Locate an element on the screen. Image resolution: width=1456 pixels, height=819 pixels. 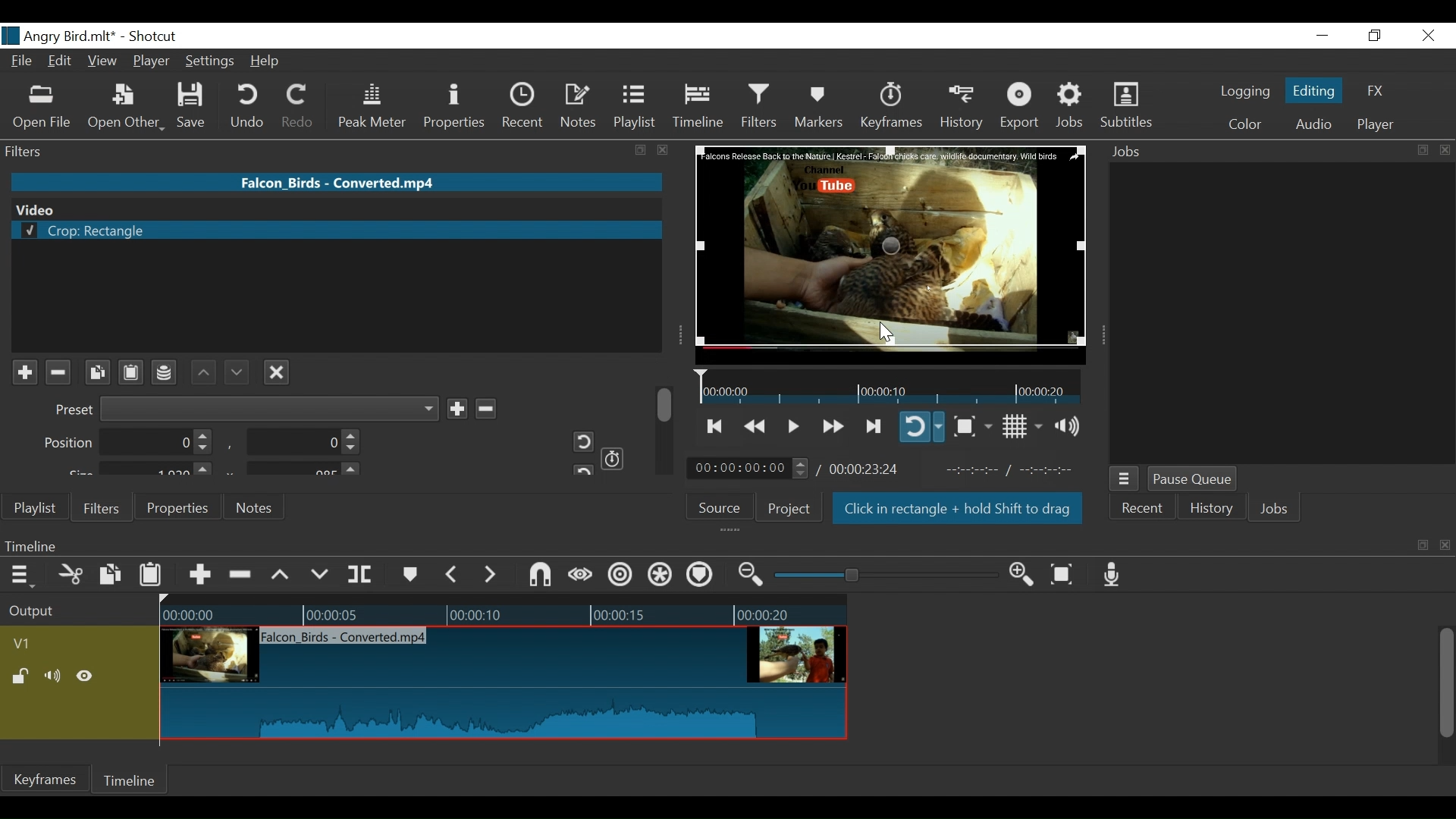
scroll bar is located at coordinates (666, 403).